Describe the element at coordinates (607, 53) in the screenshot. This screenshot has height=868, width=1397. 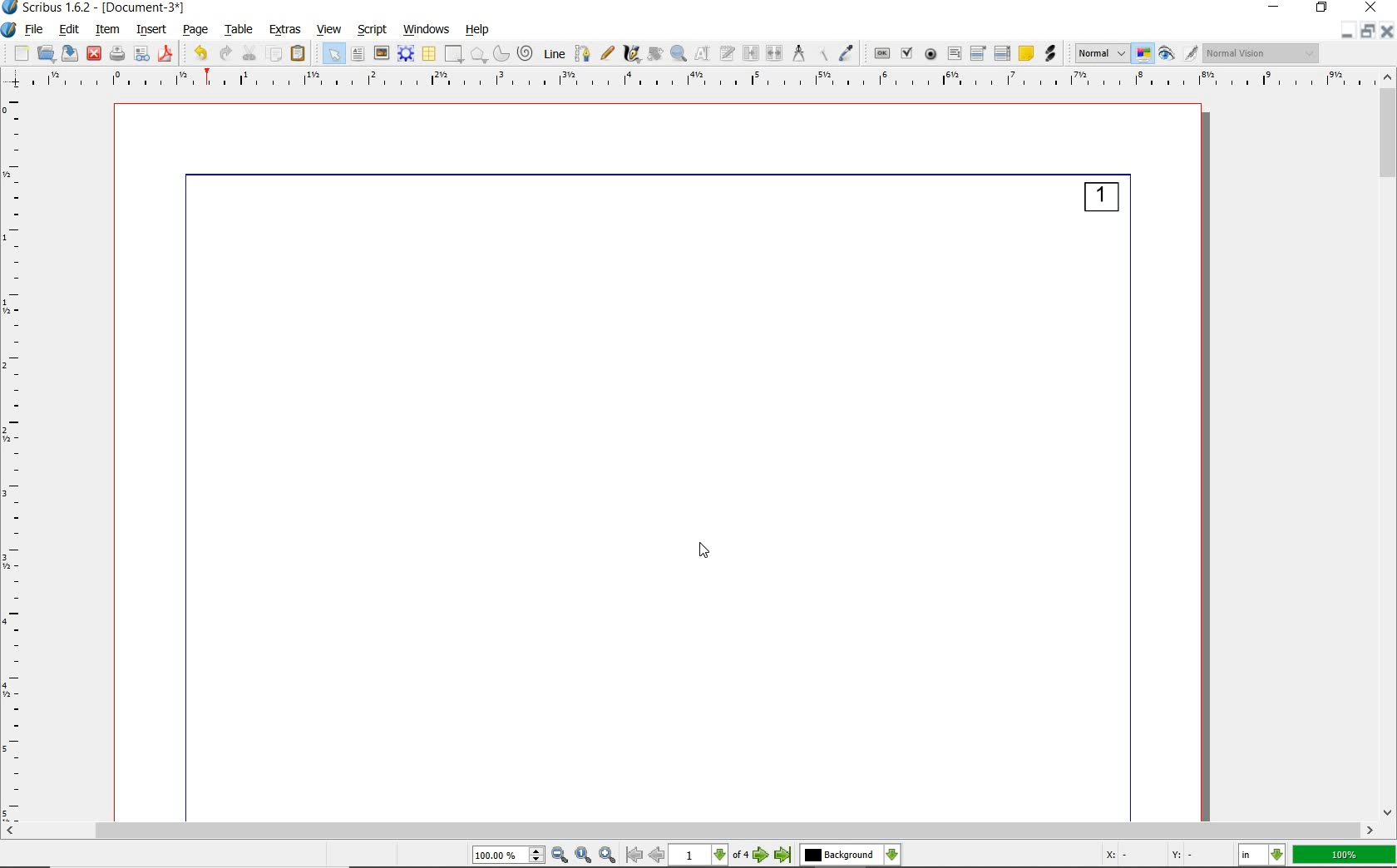
I see `freehand line` at that location.